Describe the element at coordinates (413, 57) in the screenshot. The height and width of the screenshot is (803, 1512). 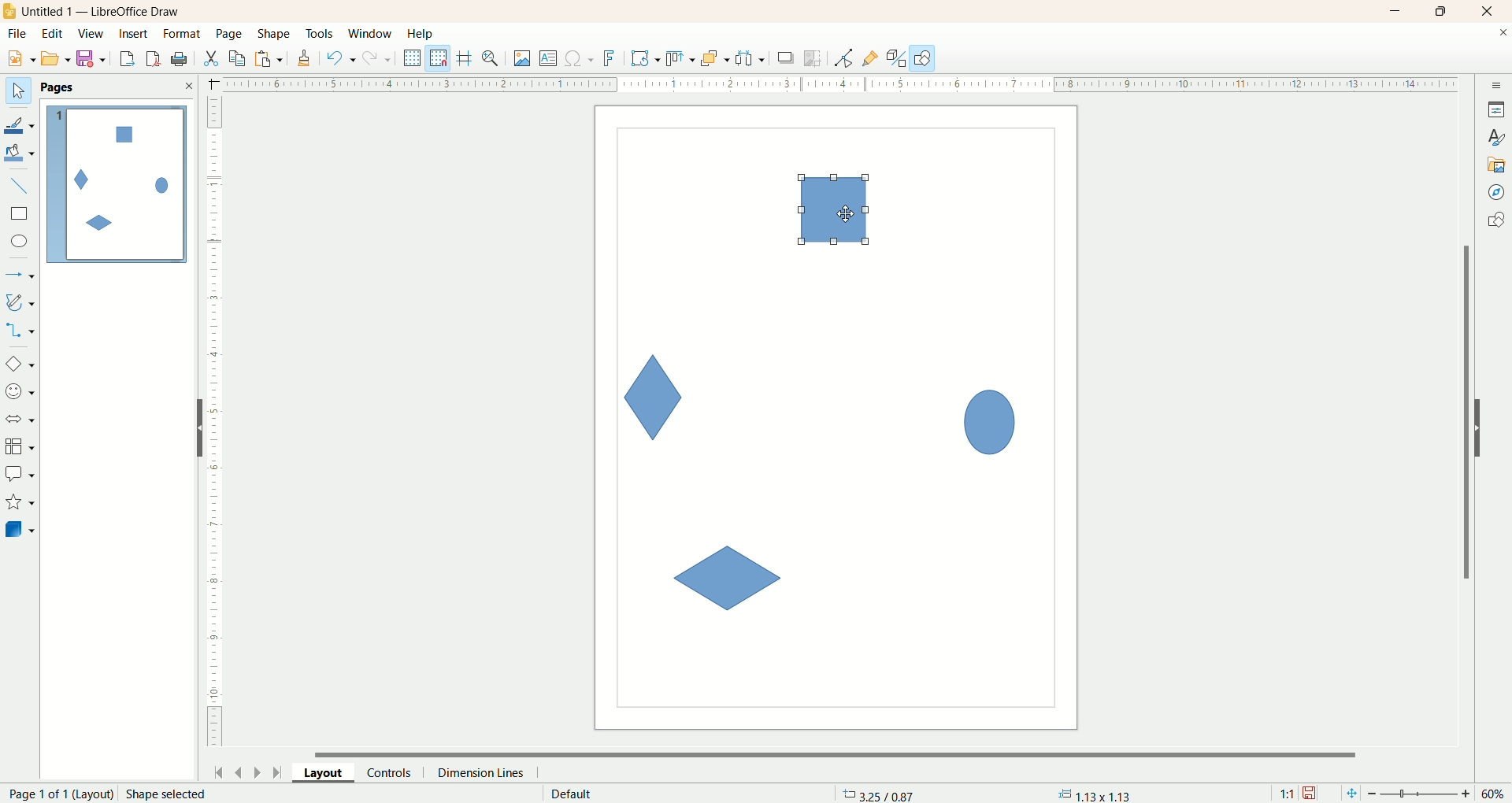
I see `display grid` at that location.